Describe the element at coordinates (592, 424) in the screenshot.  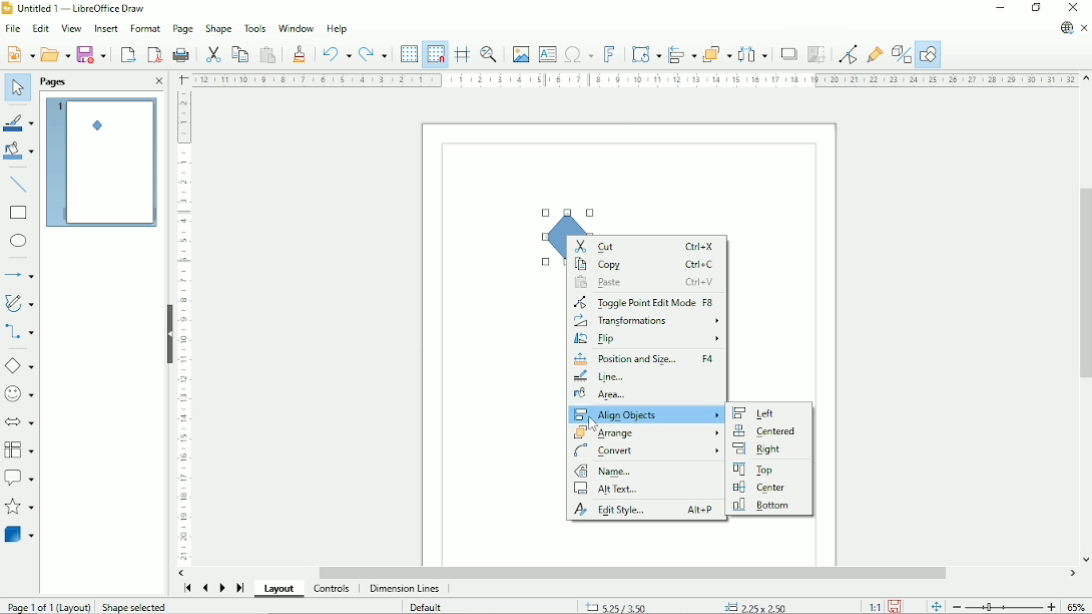
I see `Cursor` at that location.